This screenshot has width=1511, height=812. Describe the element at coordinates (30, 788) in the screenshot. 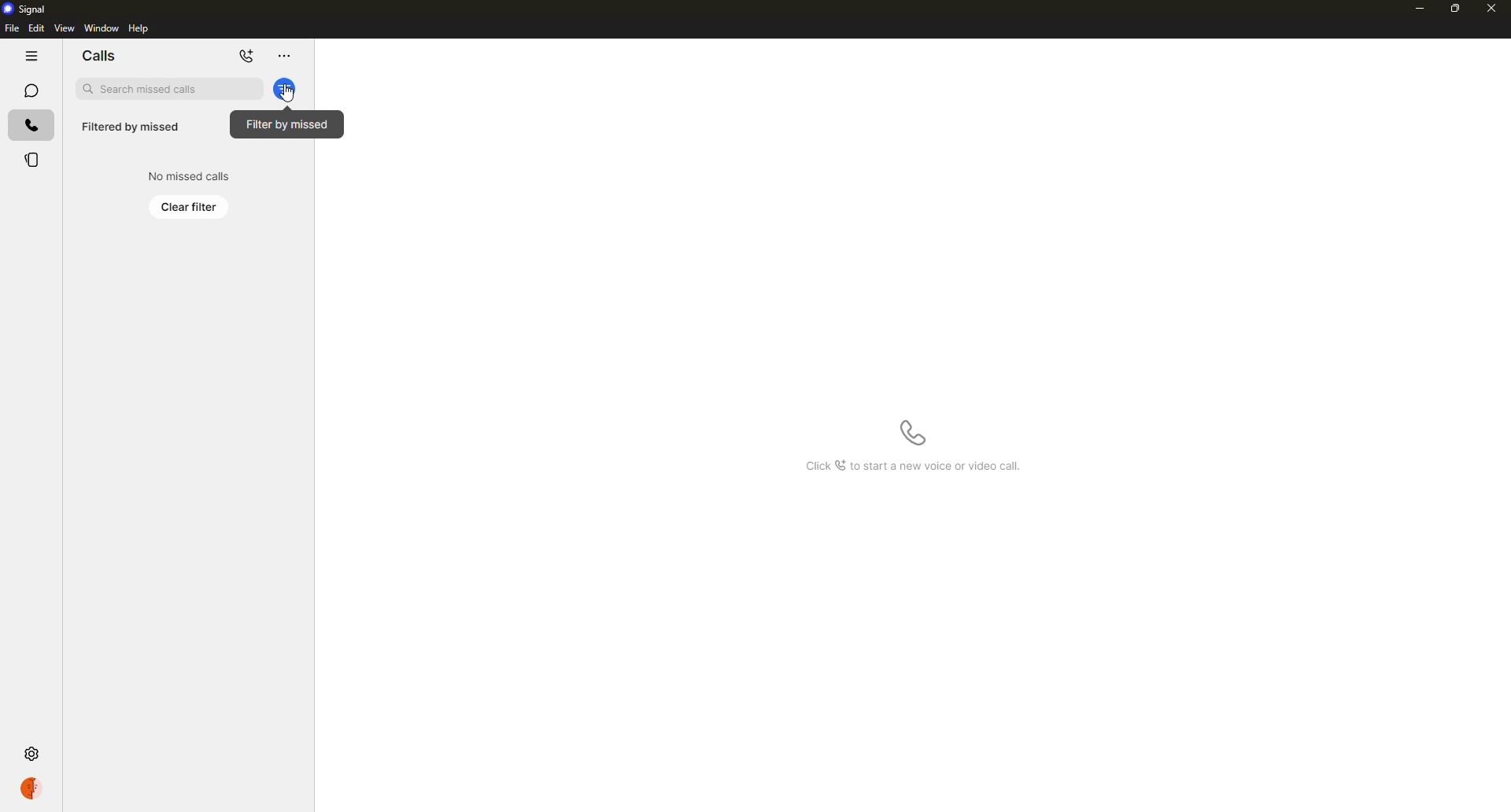

I see `profile` at that location.